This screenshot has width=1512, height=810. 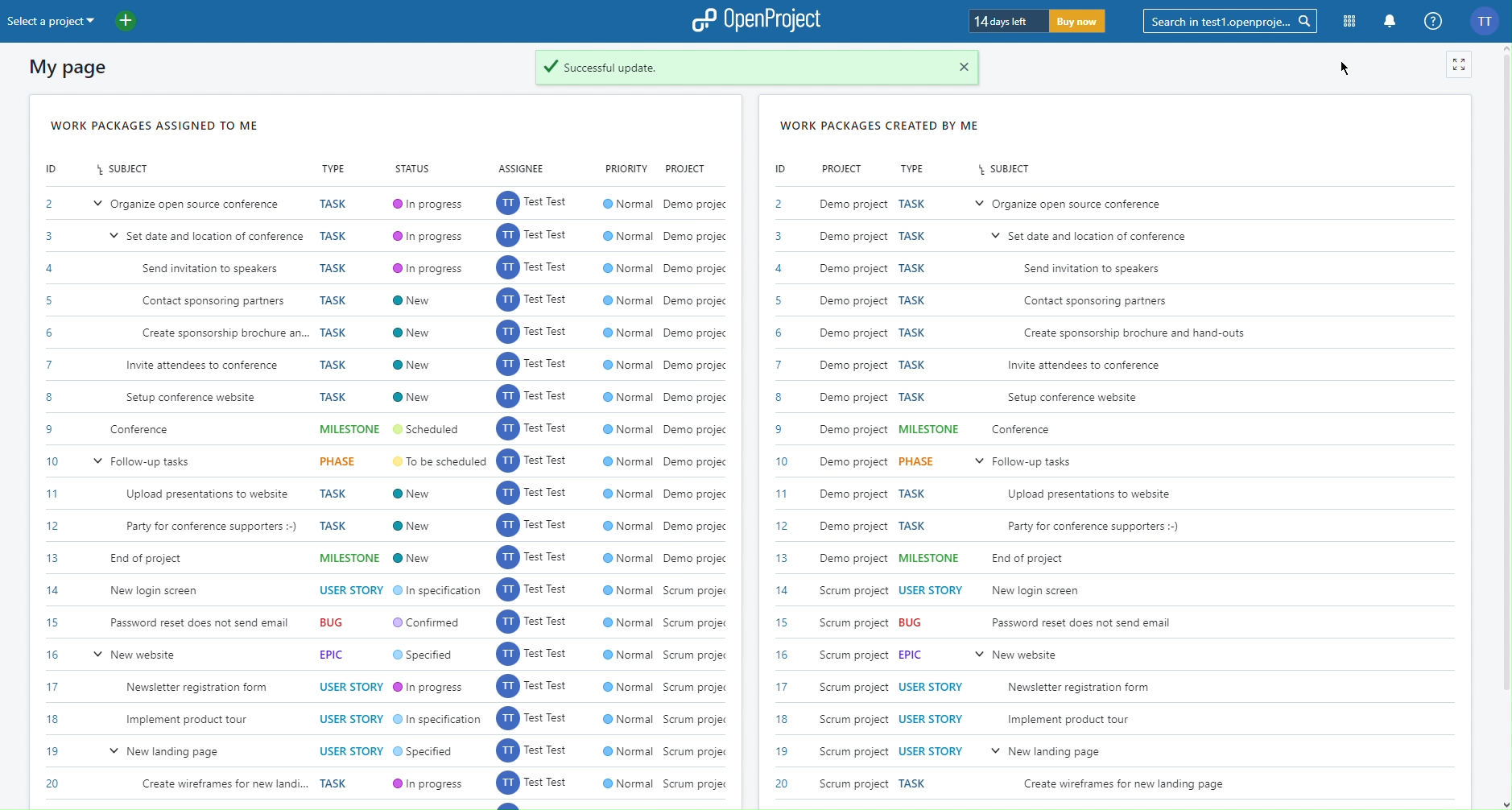 I want to click on Scrum Project, so click(x=856, y=684).